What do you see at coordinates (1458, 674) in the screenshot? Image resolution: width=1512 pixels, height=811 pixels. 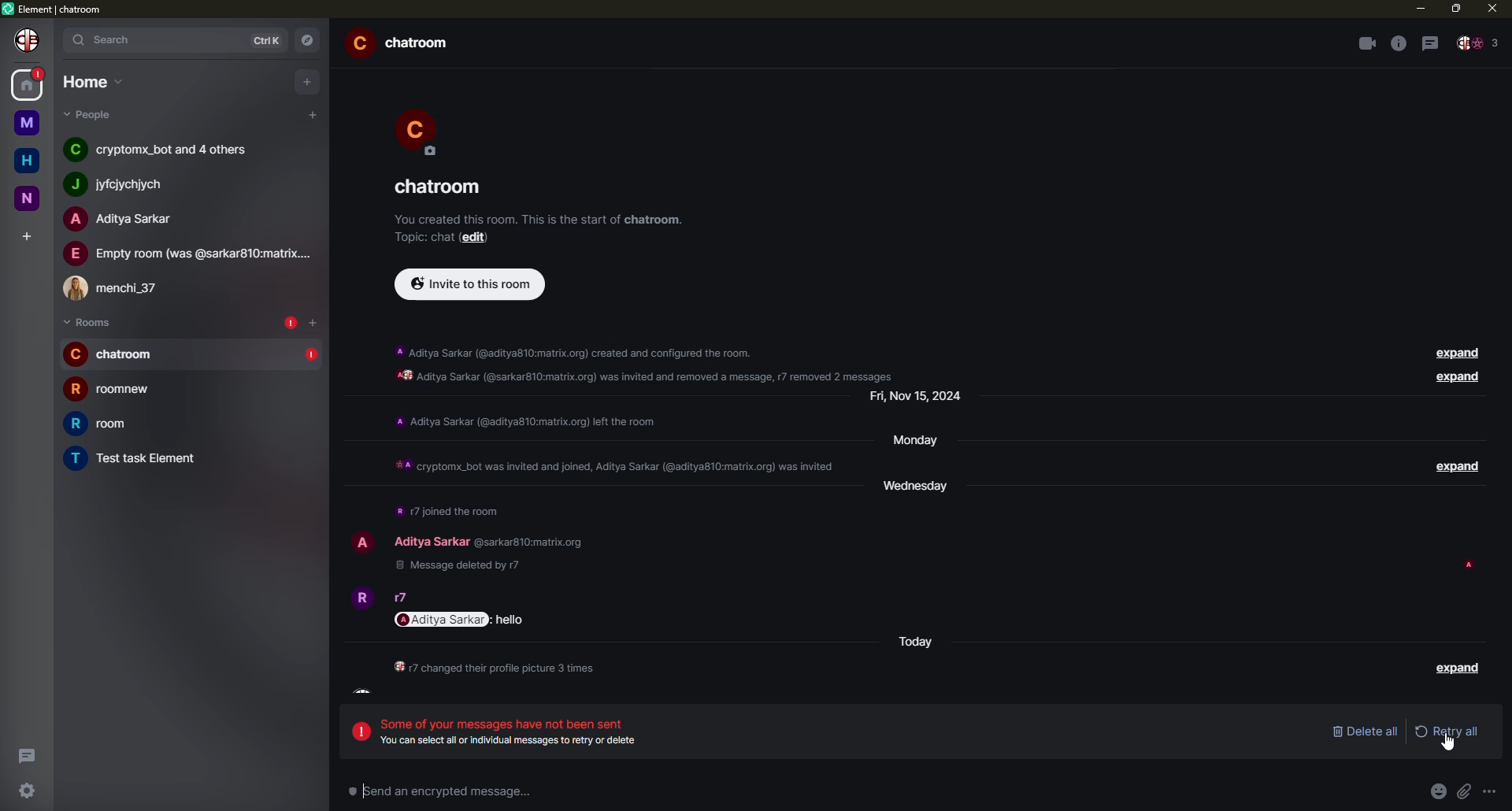 I see `expand` at bounding box center [1458, 674].